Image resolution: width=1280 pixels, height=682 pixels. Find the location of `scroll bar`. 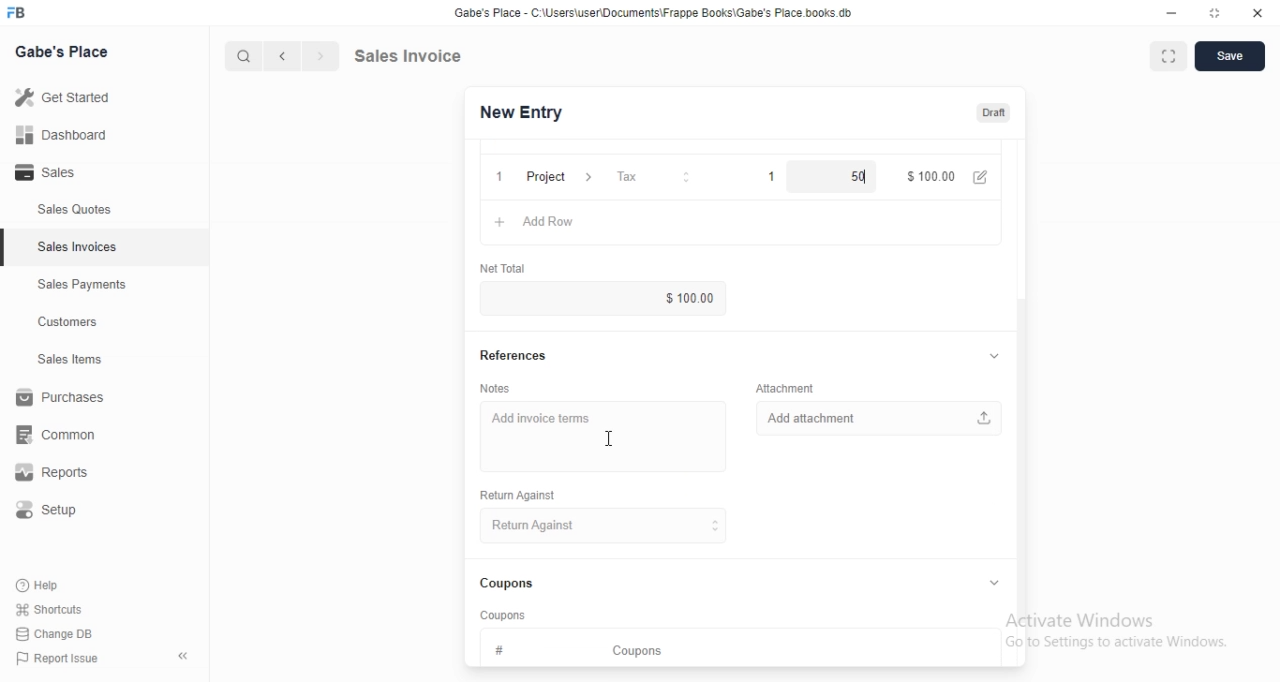

scroll bar is located at coordinates (1023, 456).